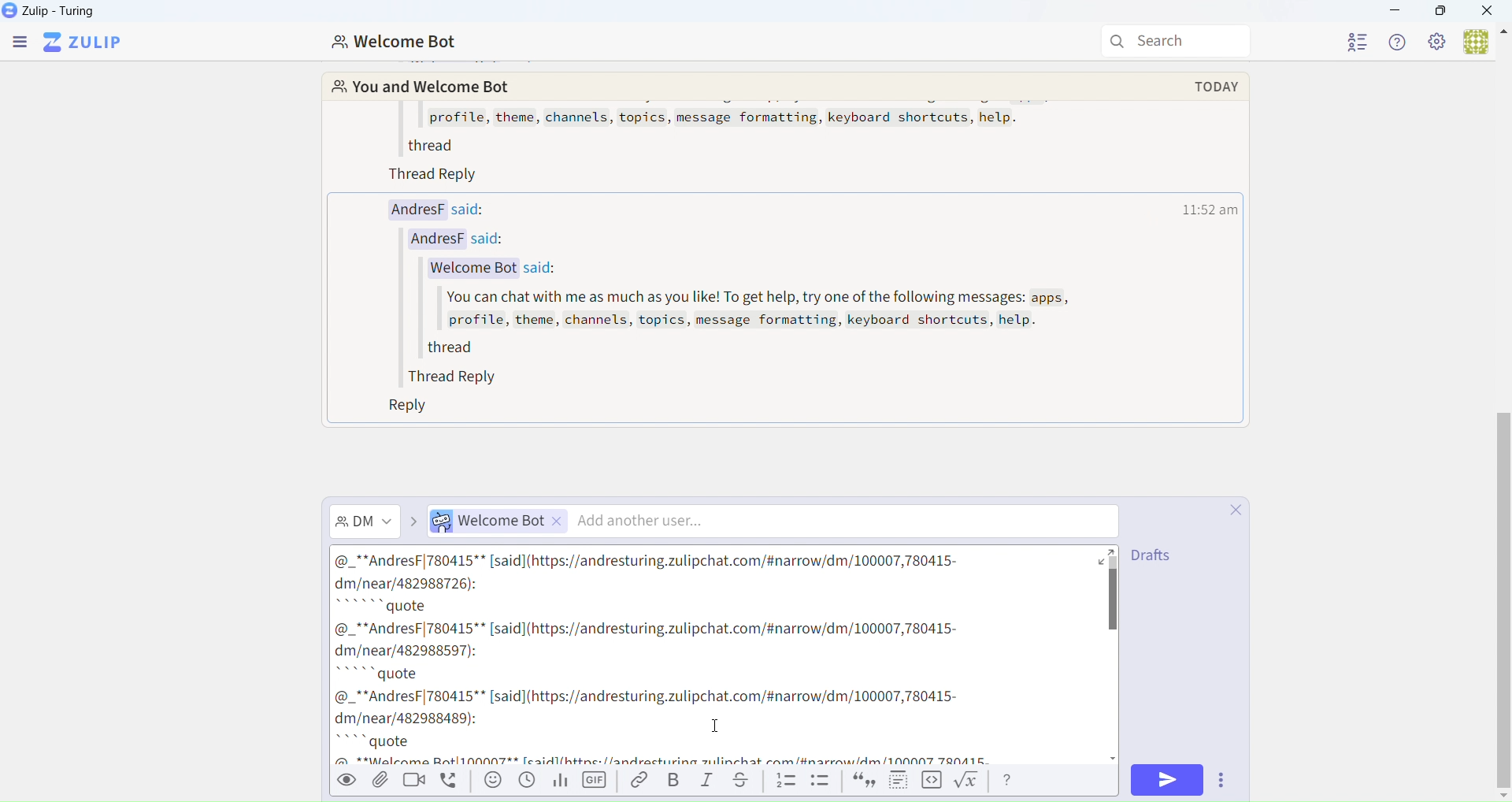  What do you see at coordinates (756, 310) in the screenshot?
I see `You can chat with me as much as you like! To get help, try one of the following messages: apps,
profile, theme, channels, topics, message formatting, keyboard shortcuts, help.` at bounding box center [756, 310].